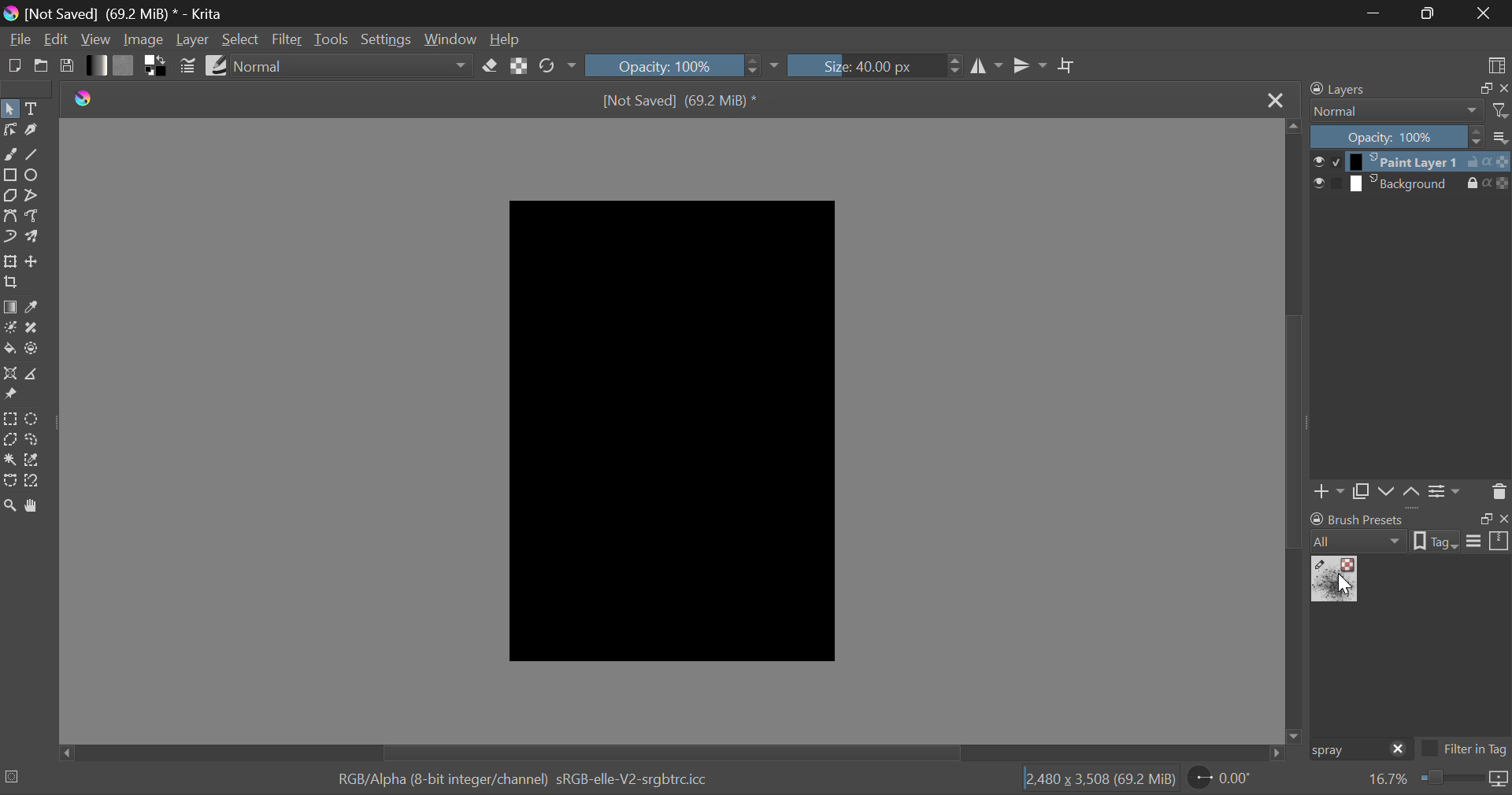  Describe the element at coordinates (32, 156) in the screenshot. I see `Line` at that location.